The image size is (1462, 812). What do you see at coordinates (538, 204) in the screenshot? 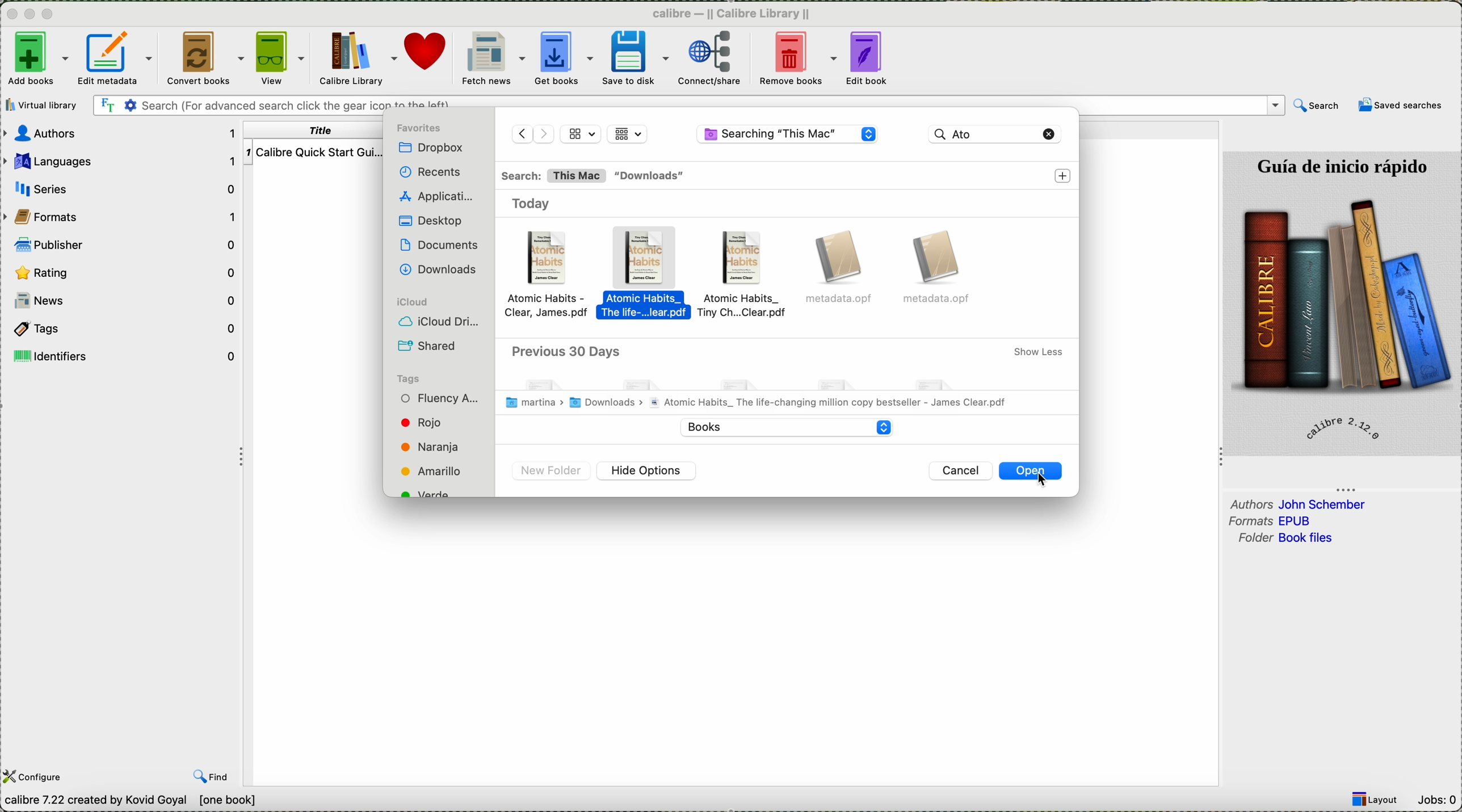
I see `today` at bounding box center [538, 204].